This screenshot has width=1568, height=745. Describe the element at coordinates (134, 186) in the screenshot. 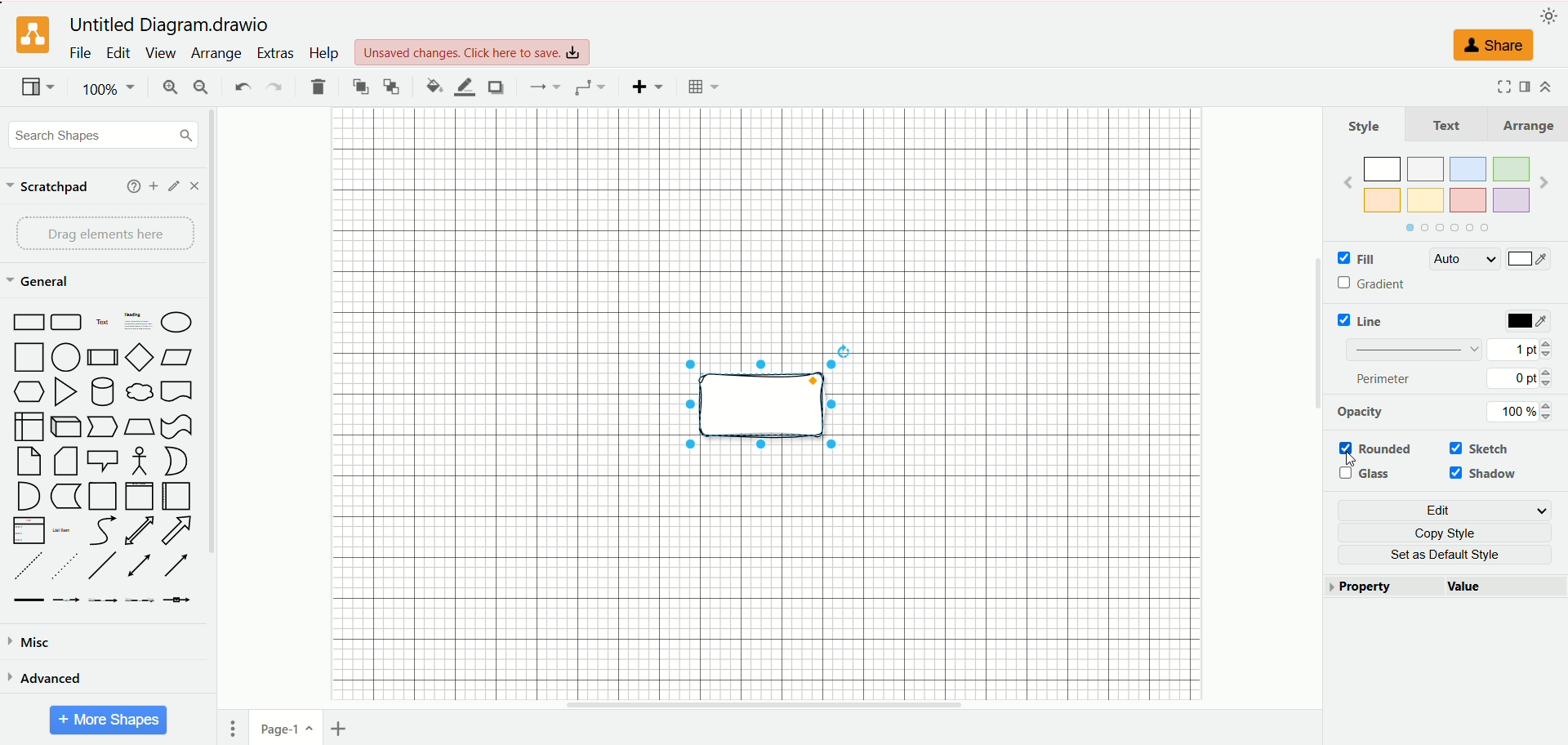

I see `help` at that location.